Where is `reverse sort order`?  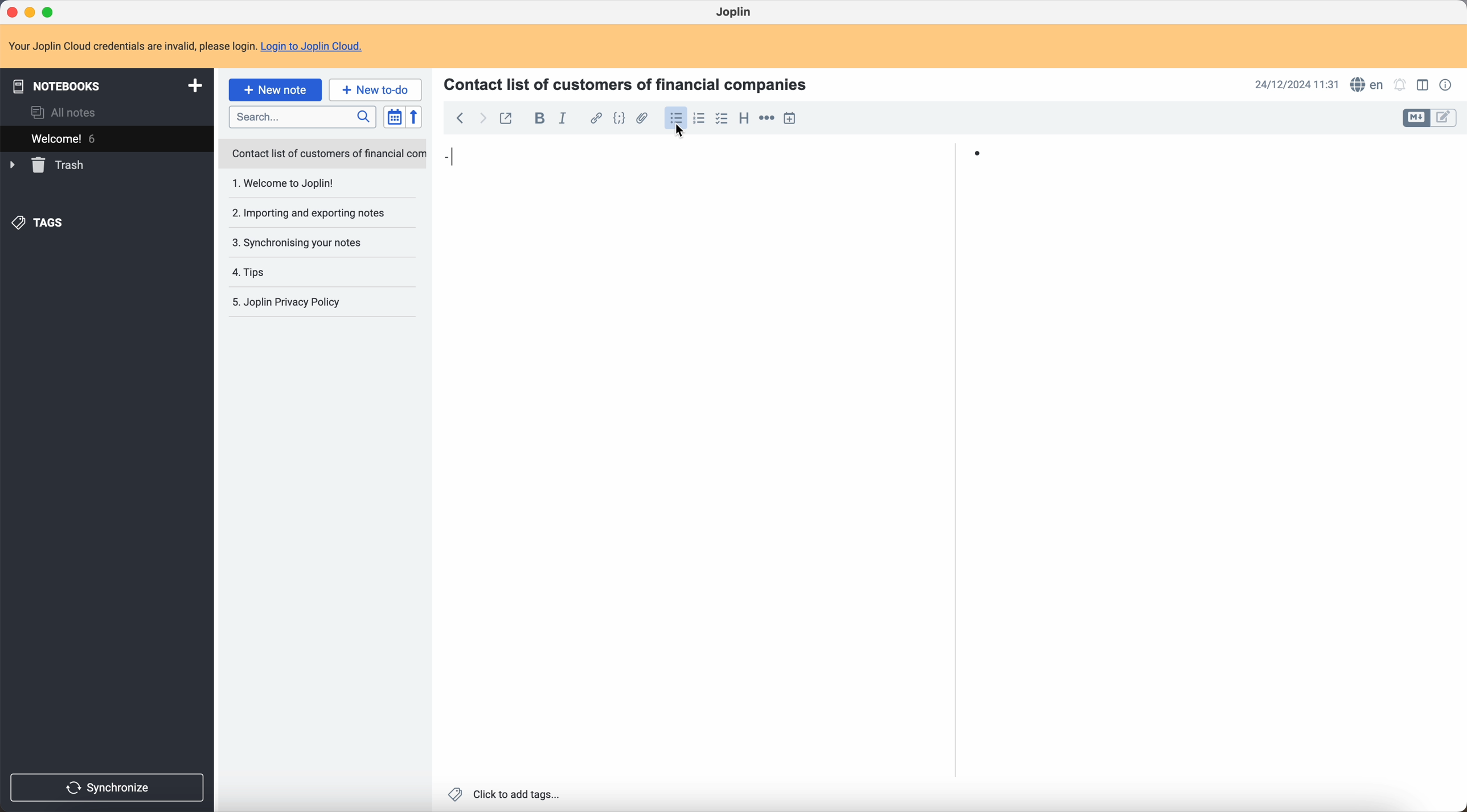 reverse sort order is located at coordinates (413, 117).